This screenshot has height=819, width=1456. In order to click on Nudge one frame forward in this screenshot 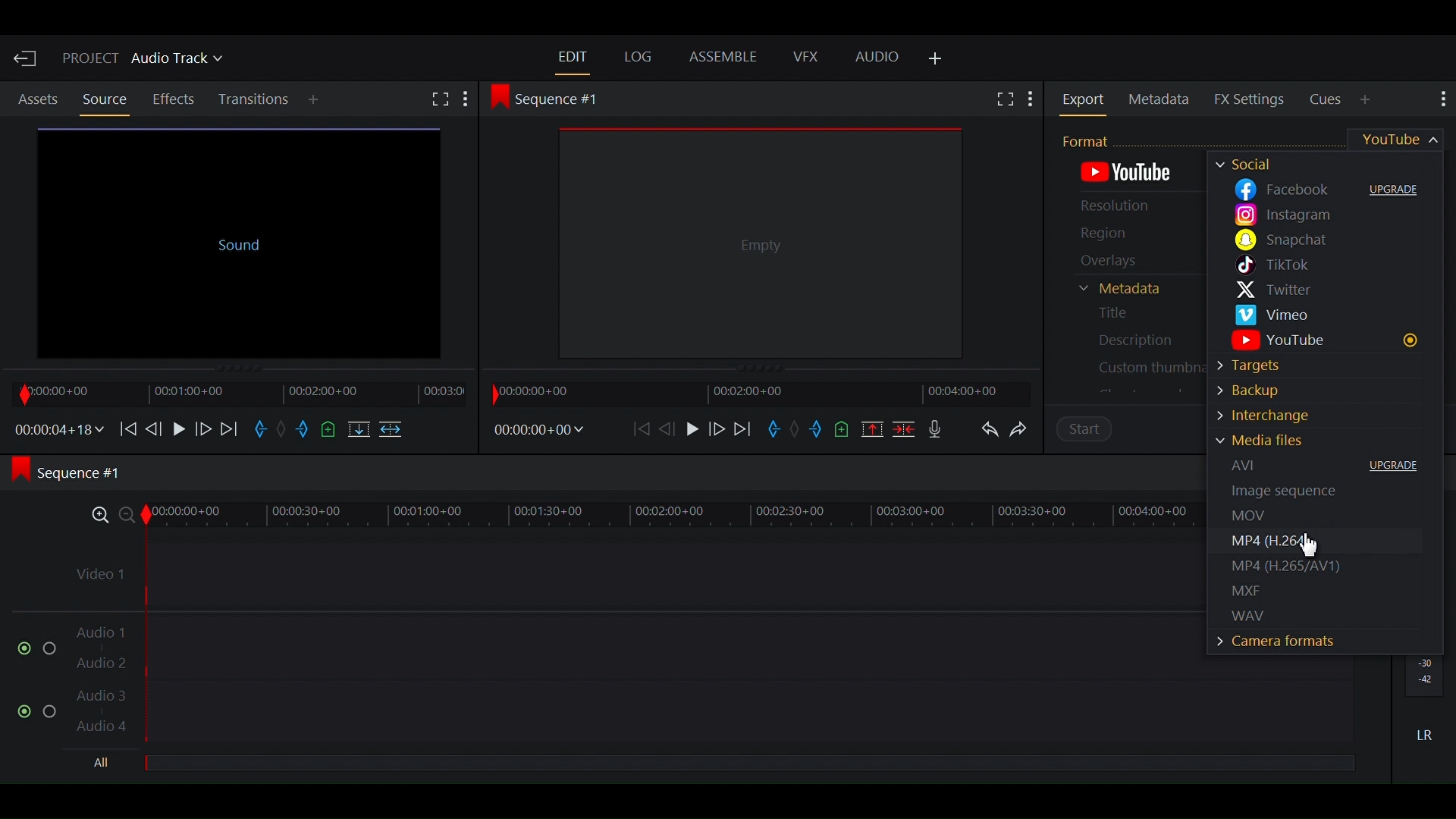, I will do `click(202, 428)`.